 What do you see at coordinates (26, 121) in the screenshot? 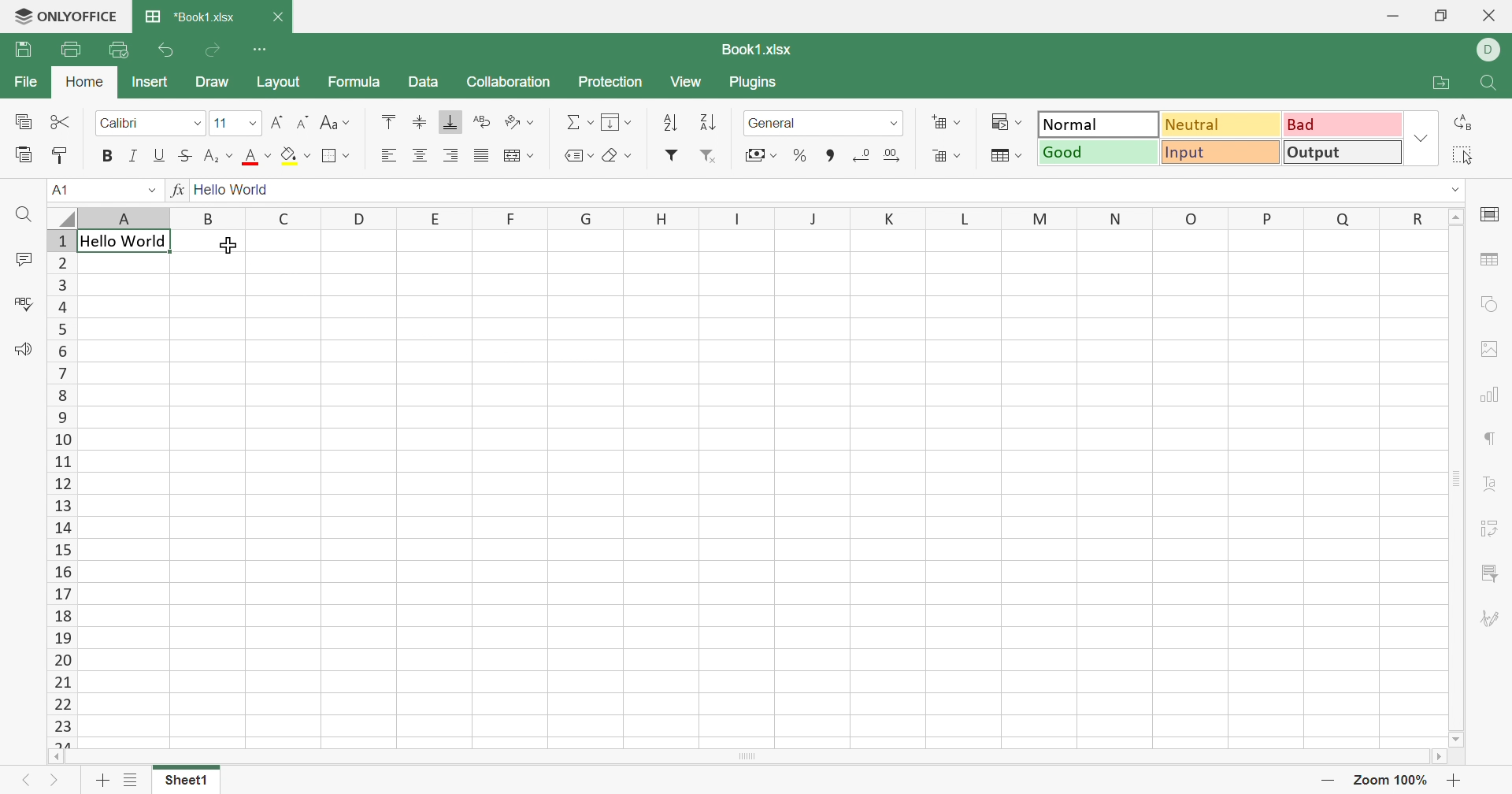
I see `Copy` at bounding box center [26, 121].